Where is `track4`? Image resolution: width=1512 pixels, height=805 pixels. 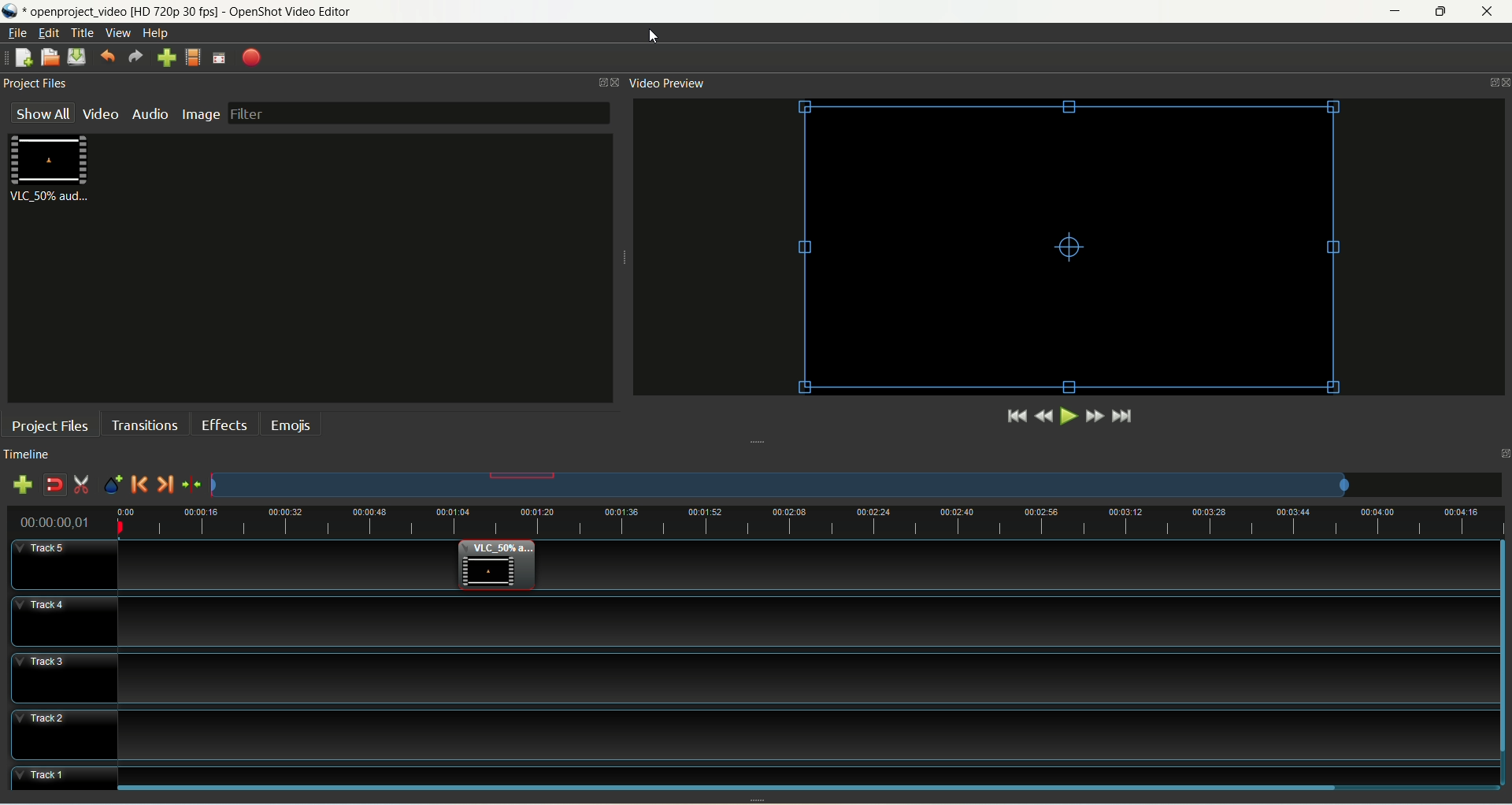
track4 is located at coordinates (63, 621).